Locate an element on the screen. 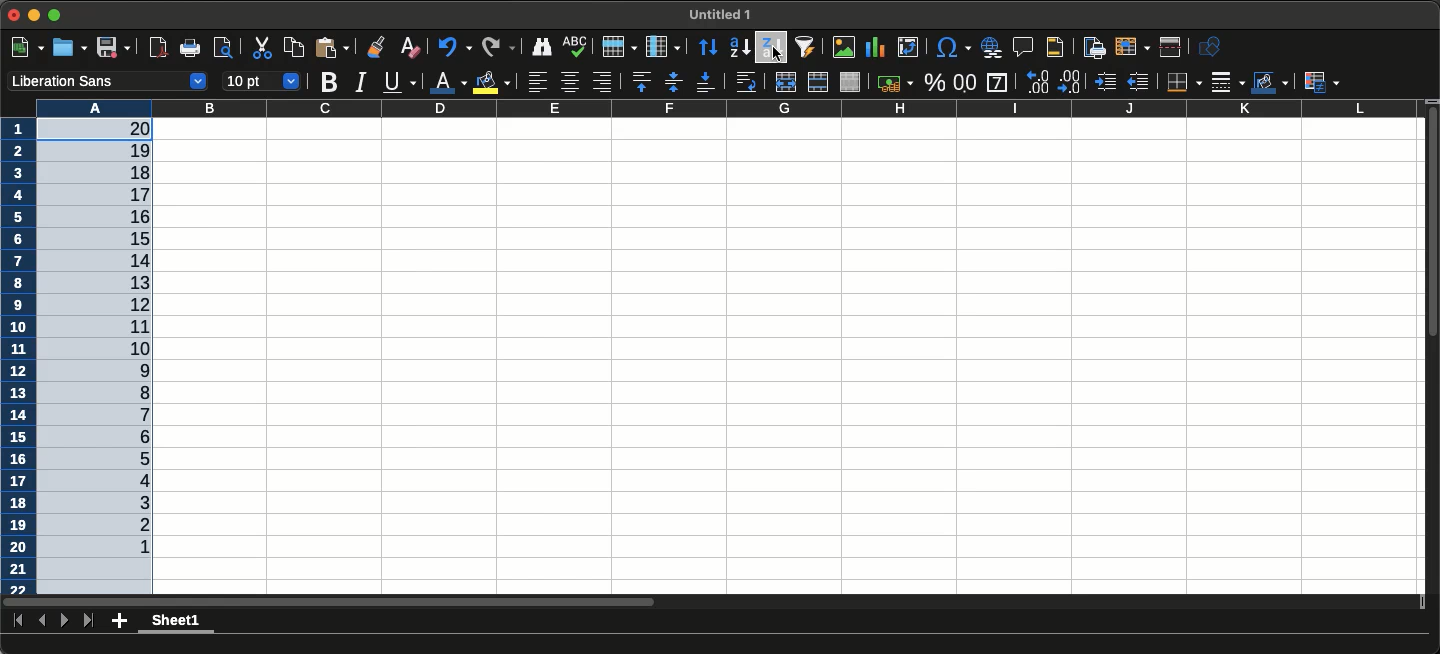 Image resolution: width=1440 pixels, height=654 pixels. 15 is located at coordinates (134, 436).